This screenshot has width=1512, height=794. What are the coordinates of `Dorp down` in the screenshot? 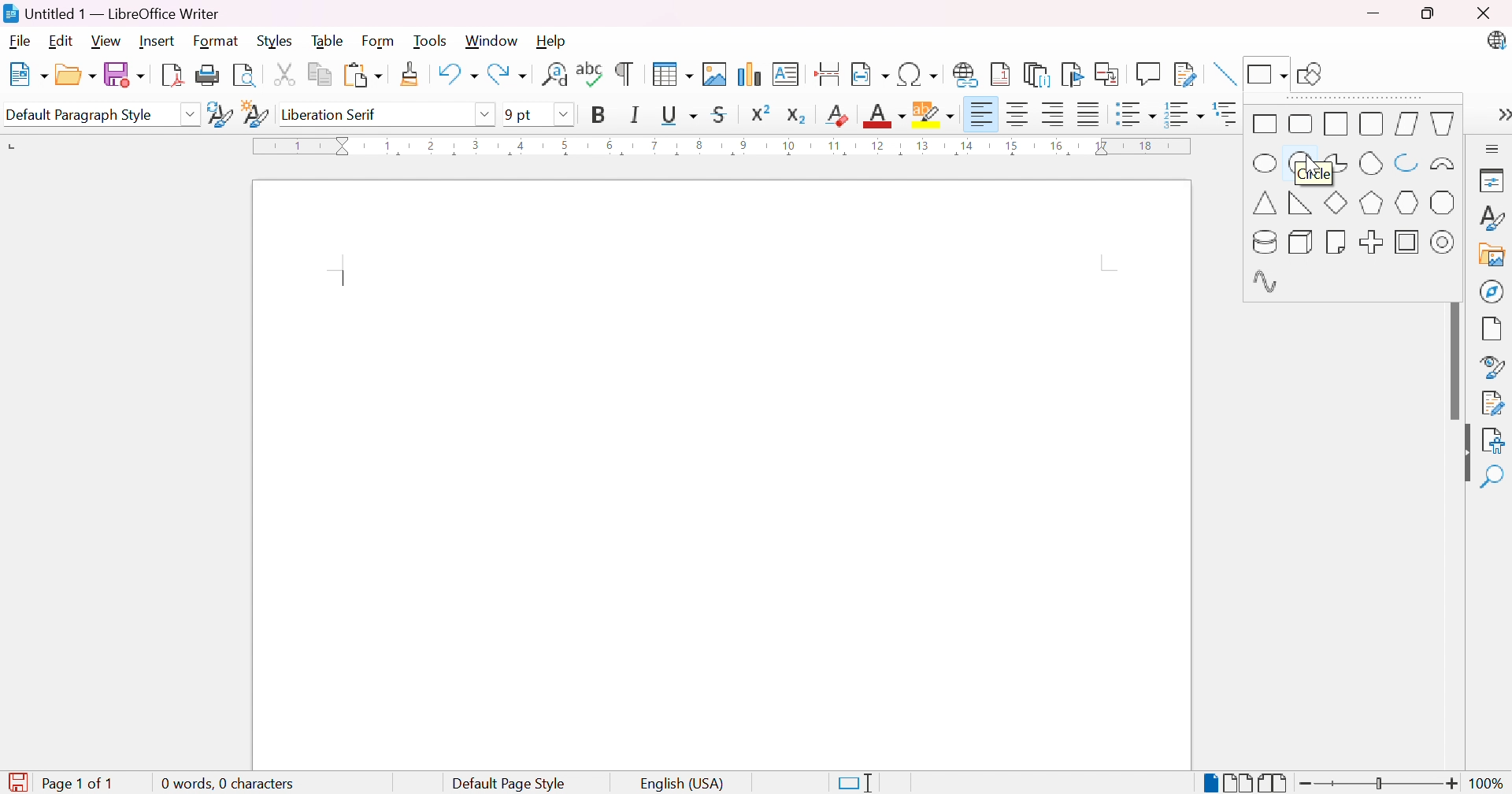 It's located at (487, 113).